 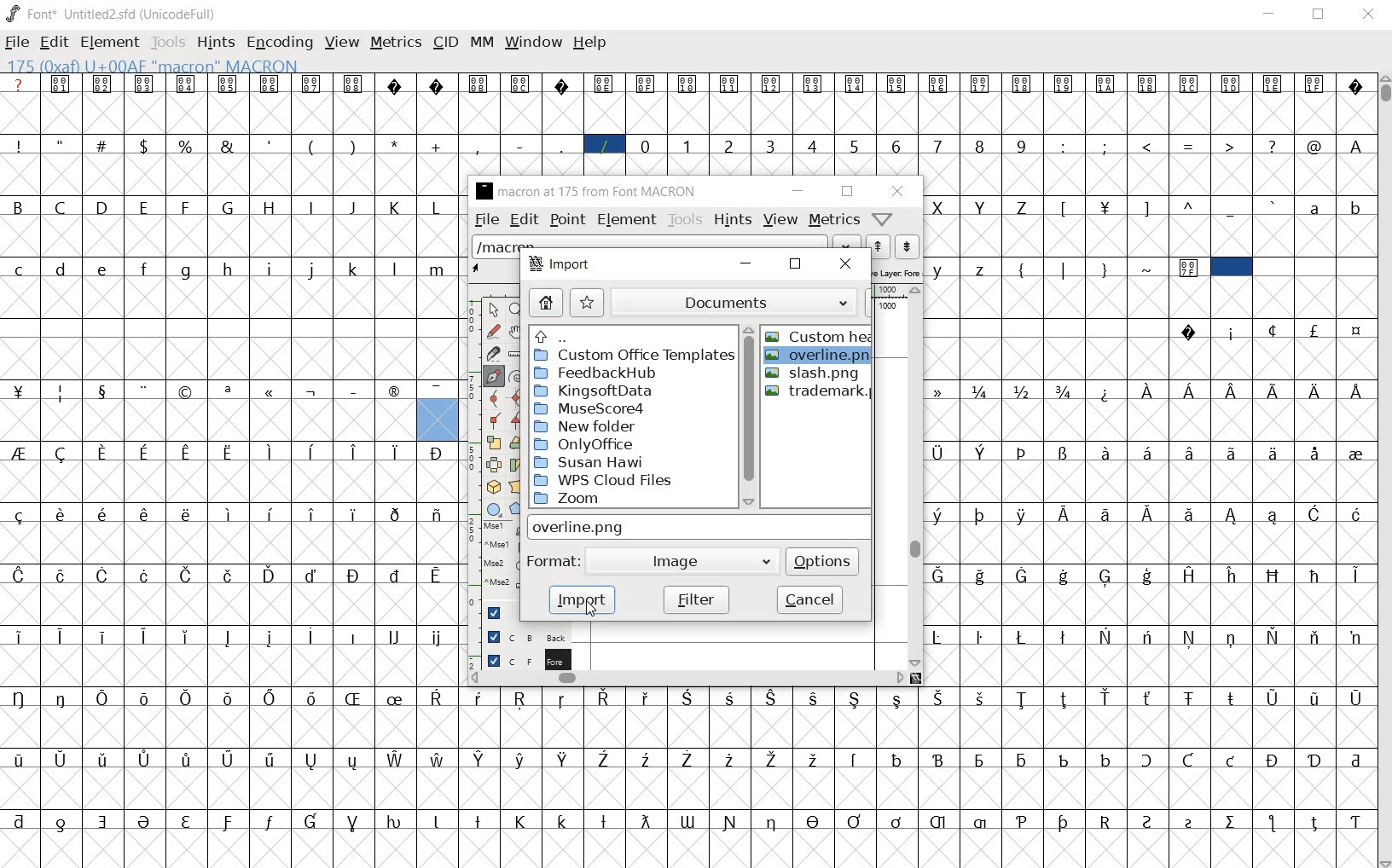 What do you see at coordinates (1230, 574) in the screenshot?
I see `Symbol` at bounding box center [1230, 574].